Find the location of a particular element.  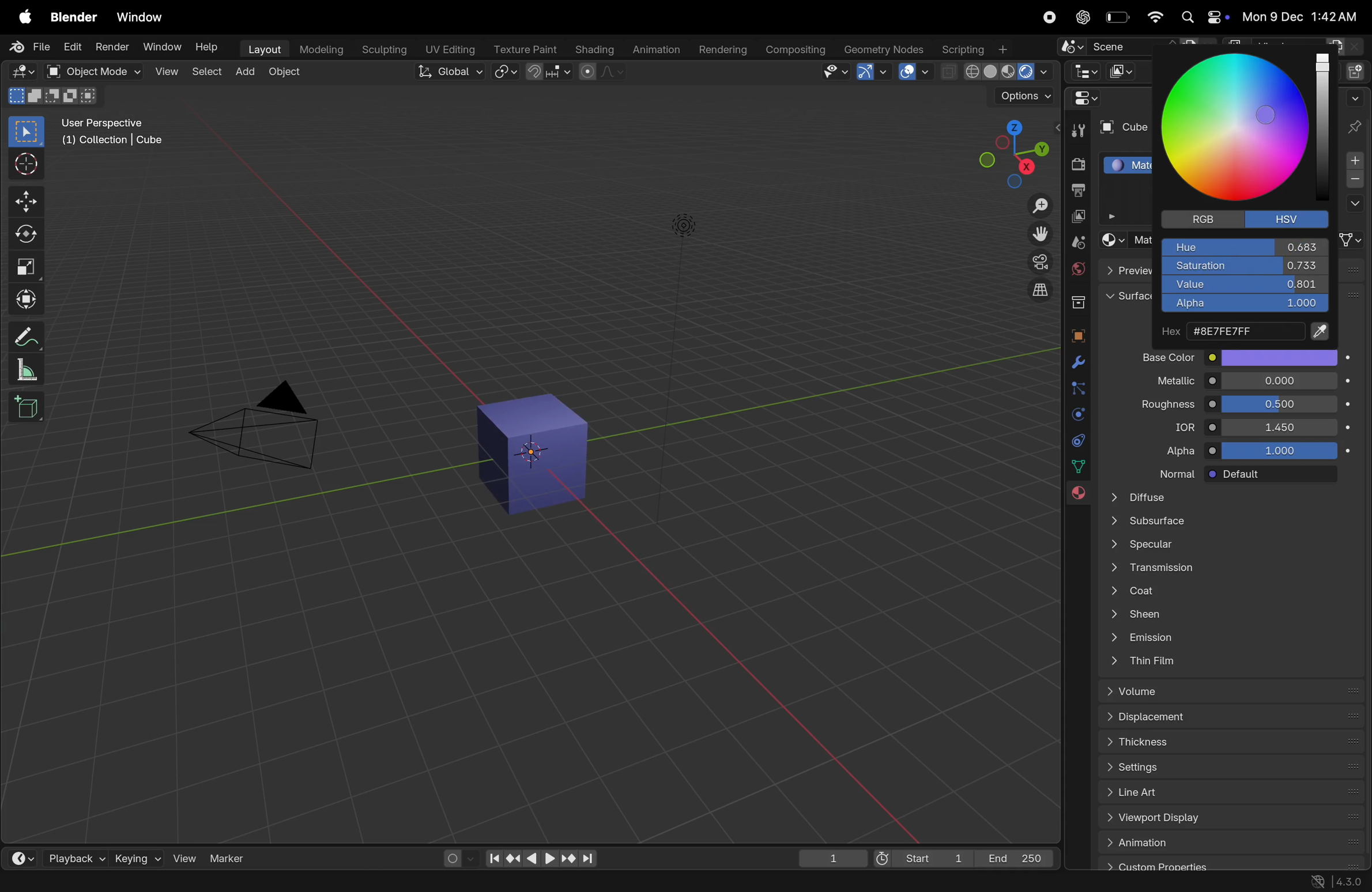

File is located at coordinates (32, 47).